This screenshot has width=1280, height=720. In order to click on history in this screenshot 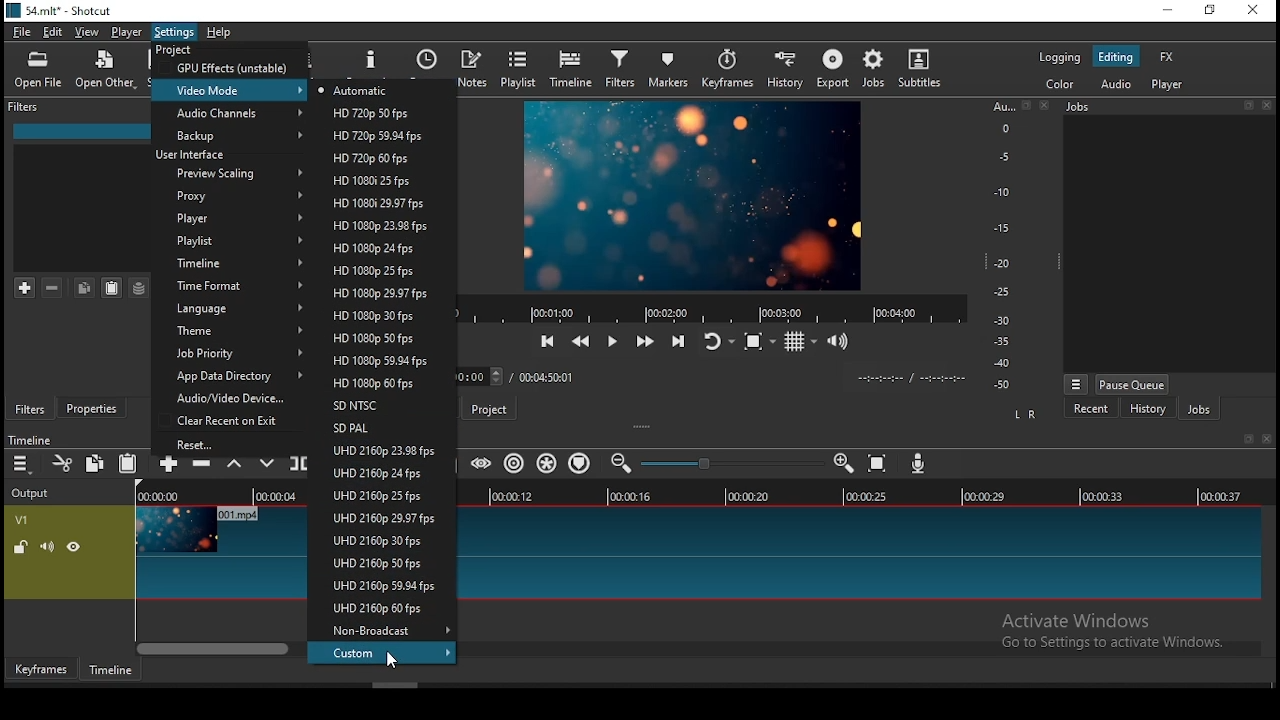, I will do `click(1147, 411)`.